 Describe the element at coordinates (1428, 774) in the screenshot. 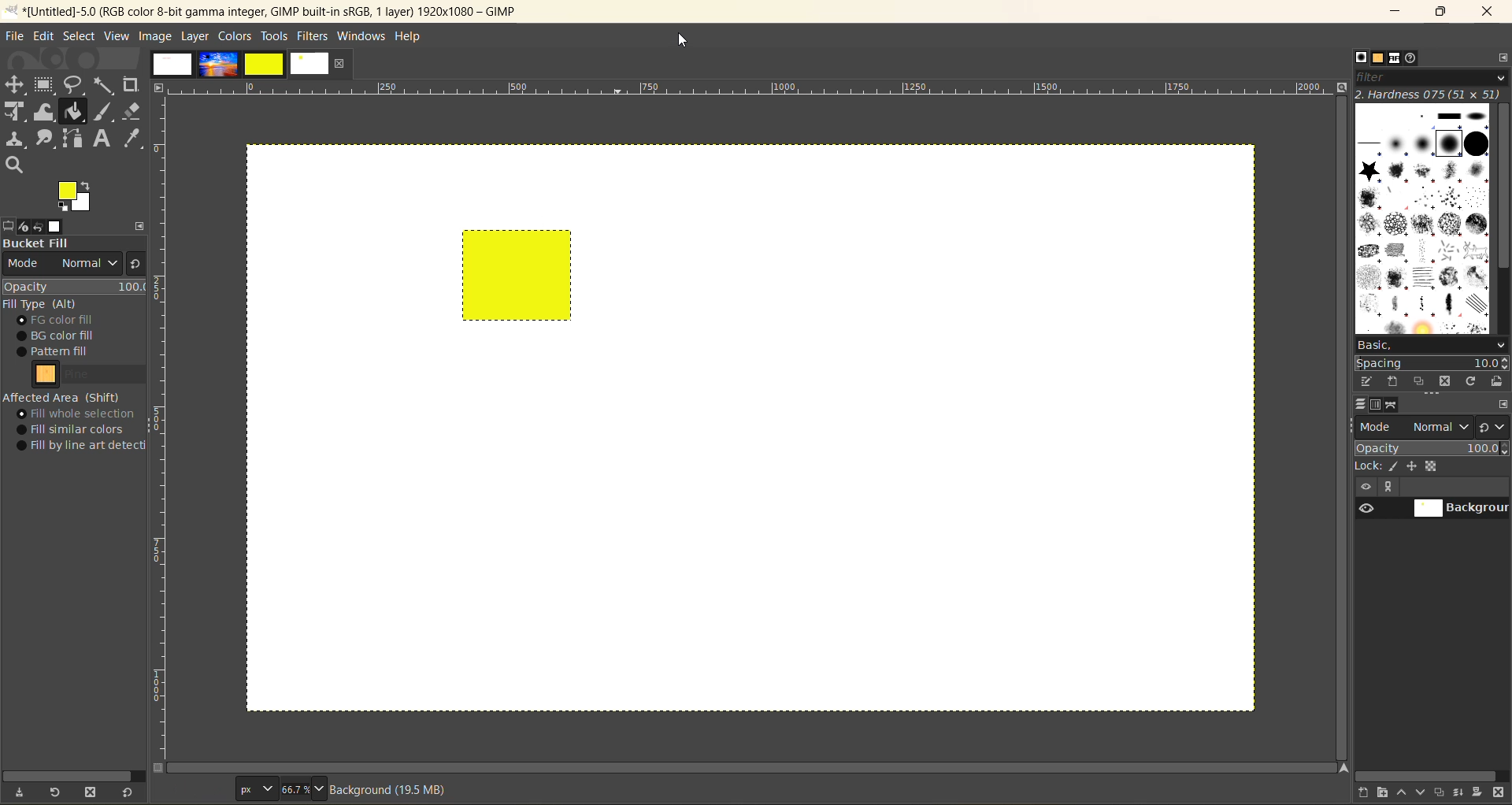

I see `horizontal scroll bar` at that location.